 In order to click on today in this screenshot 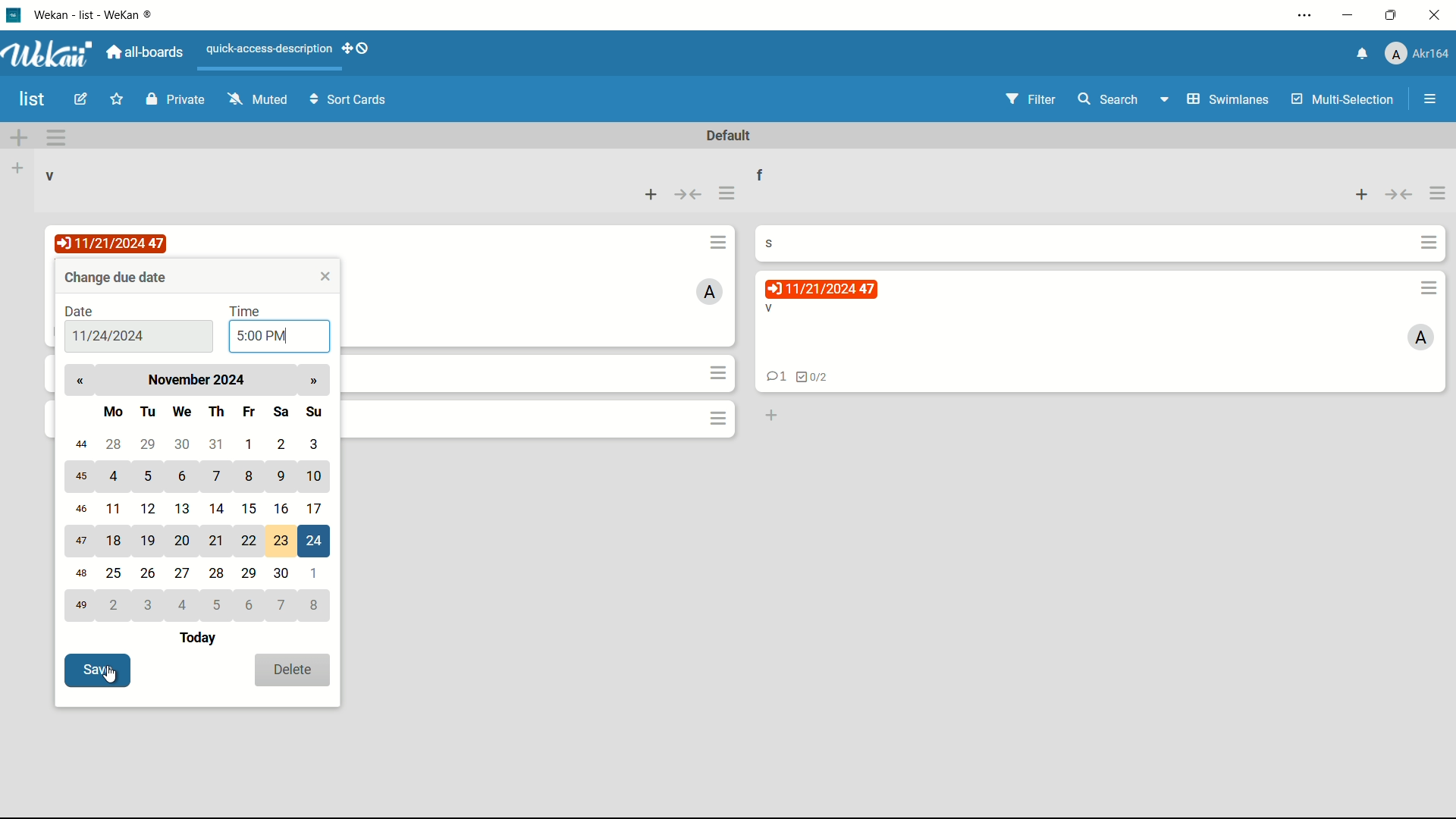, I will do `click(201, 639)`.